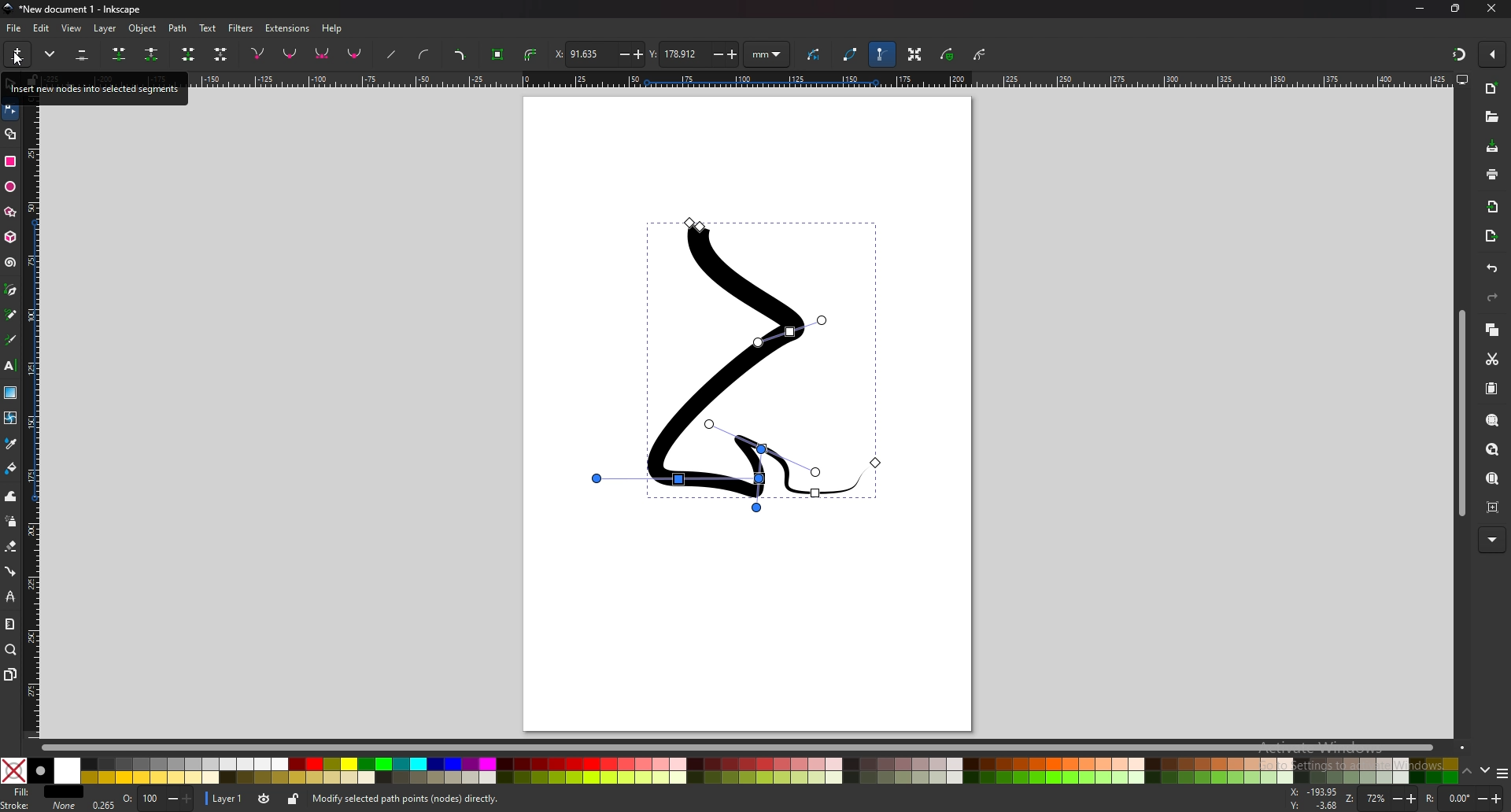  I want to click on path, so click(178, 28).